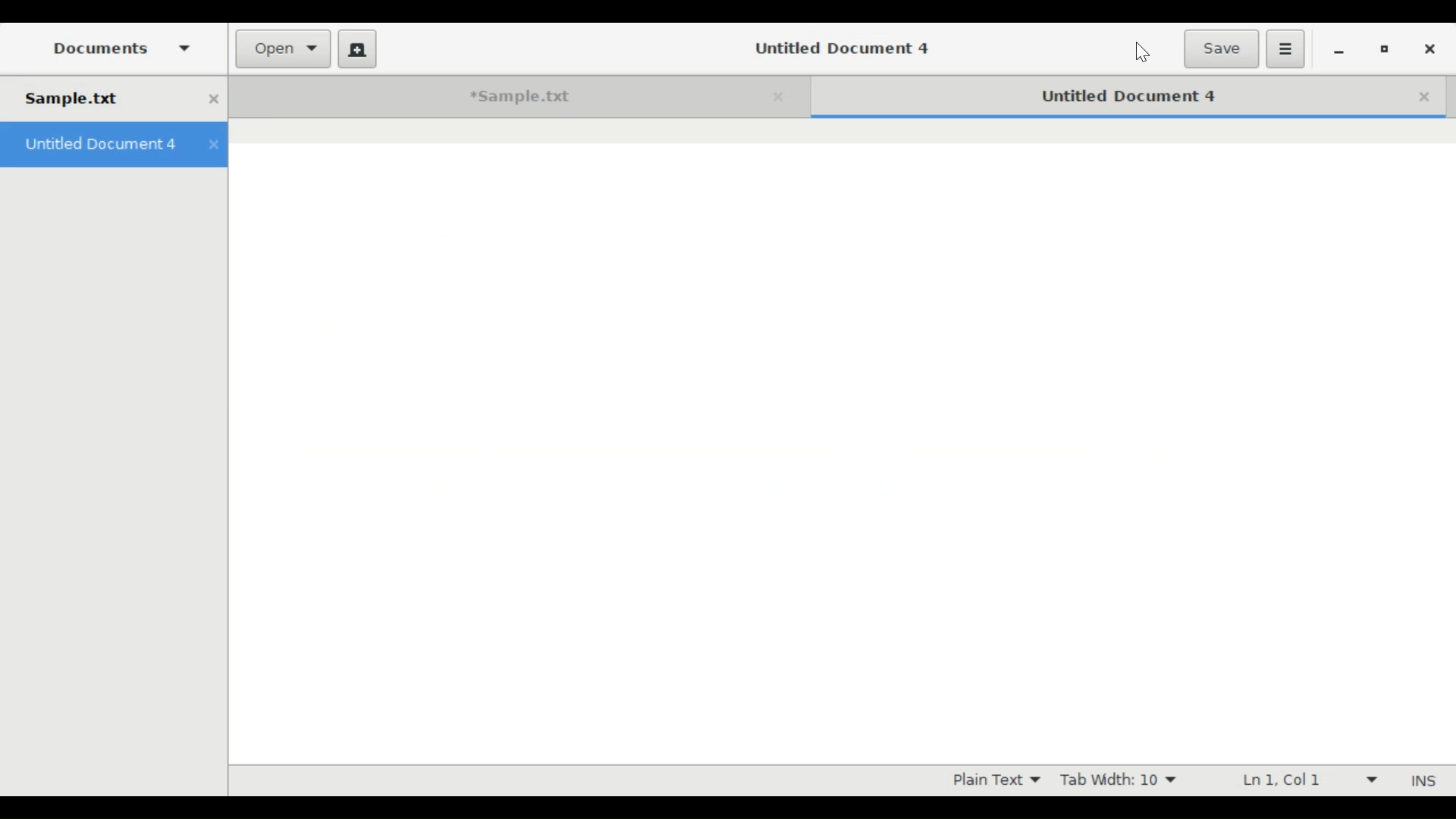 The width and height of the screenshot is (1456, 819). Describe the element at coordinates (1339, 52) in the screenshot. I see `minimize` at that location.